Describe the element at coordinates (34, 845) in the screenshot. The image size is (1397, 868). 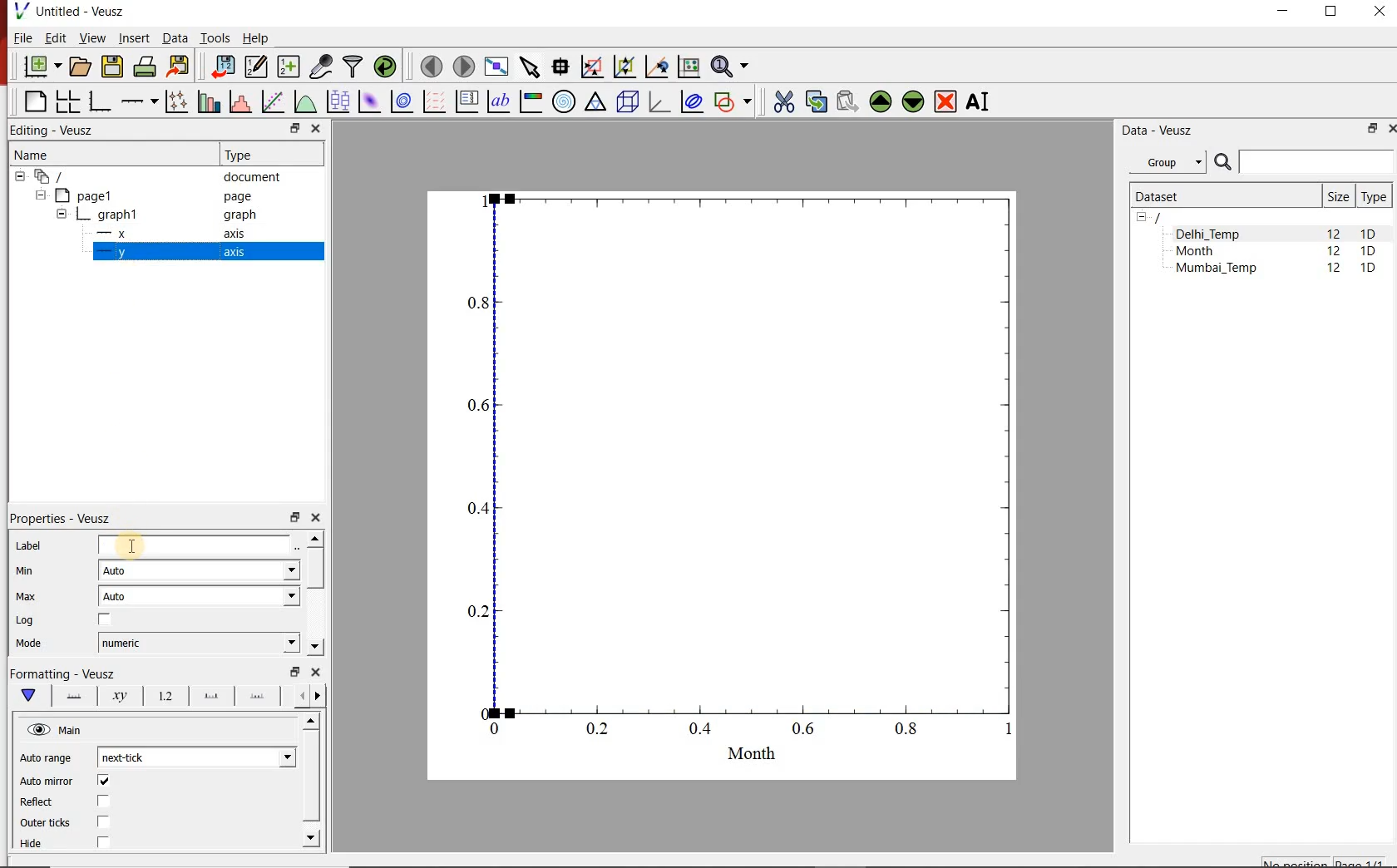
I see `Hide` at that location.